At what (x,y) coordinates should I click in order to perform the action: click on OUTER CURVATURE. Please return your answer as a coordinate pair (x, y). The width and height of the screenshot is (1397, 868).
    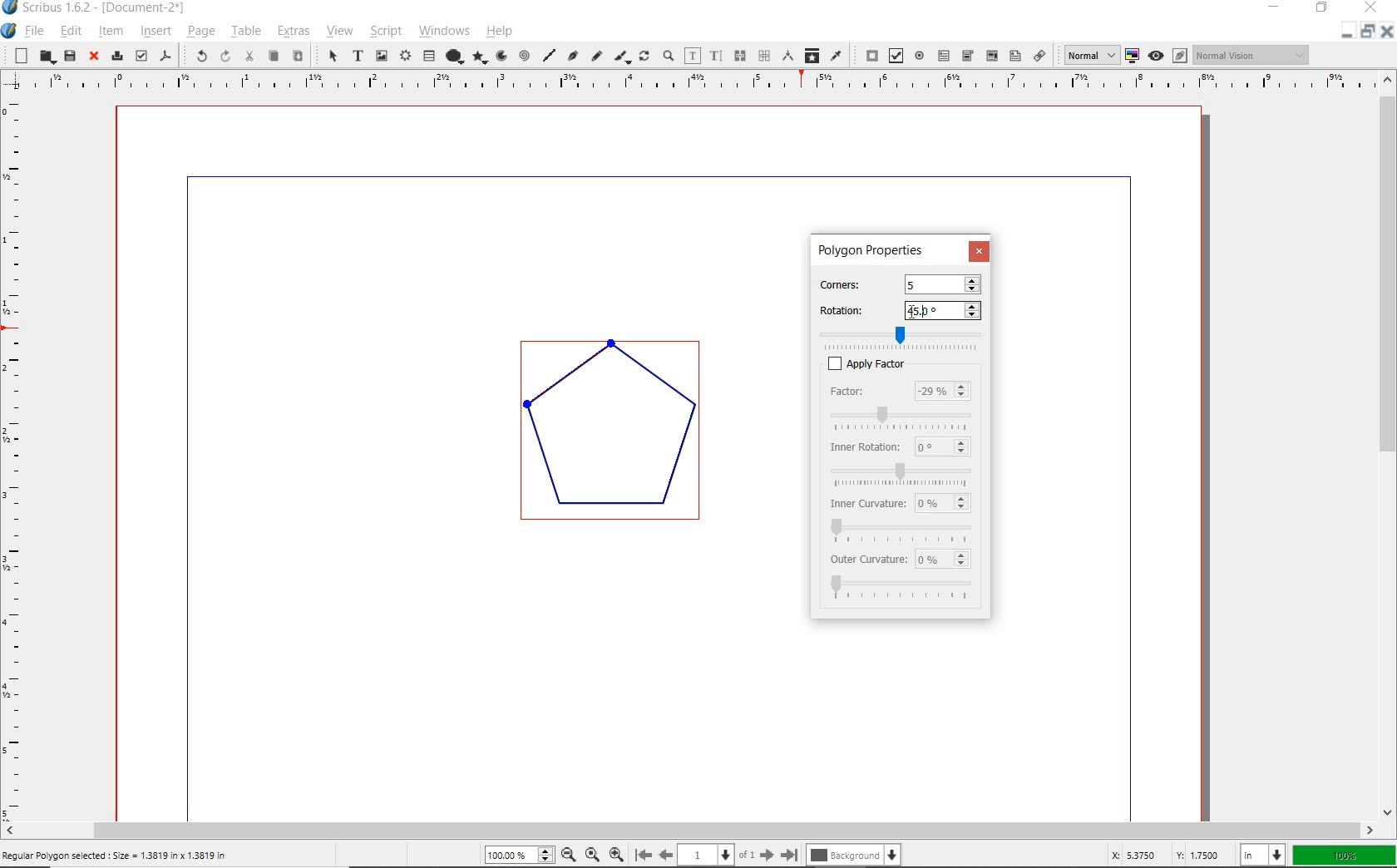
    Looking at the image, I should click on (869, 561).